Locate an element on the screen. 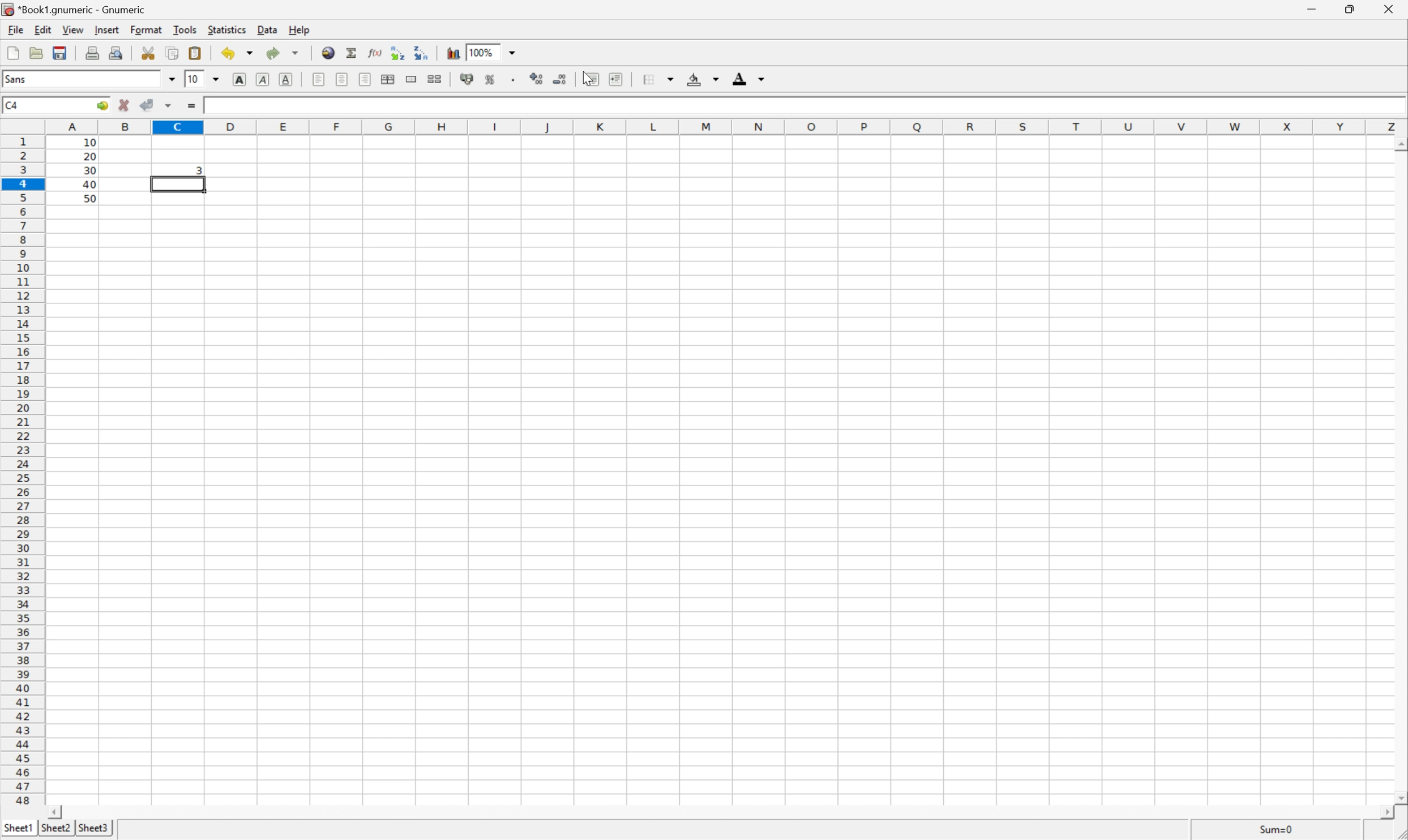  Accept change in multiple cells is located at coordinates (168, 106).